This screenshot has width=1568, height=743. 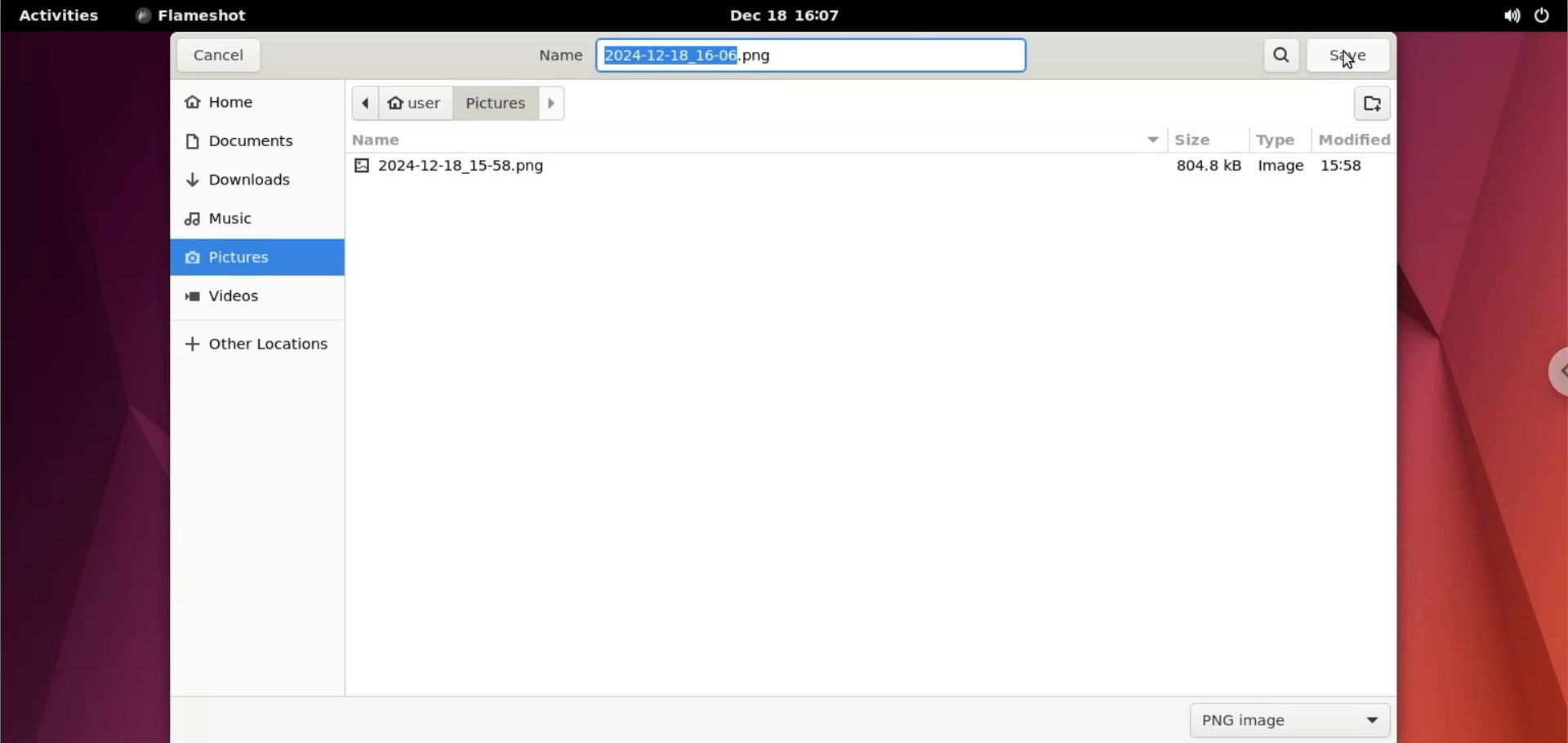 What do you see at coordinates (246, 180) in the screenshot?
I see `downloads` at bounding box center [246, 180].